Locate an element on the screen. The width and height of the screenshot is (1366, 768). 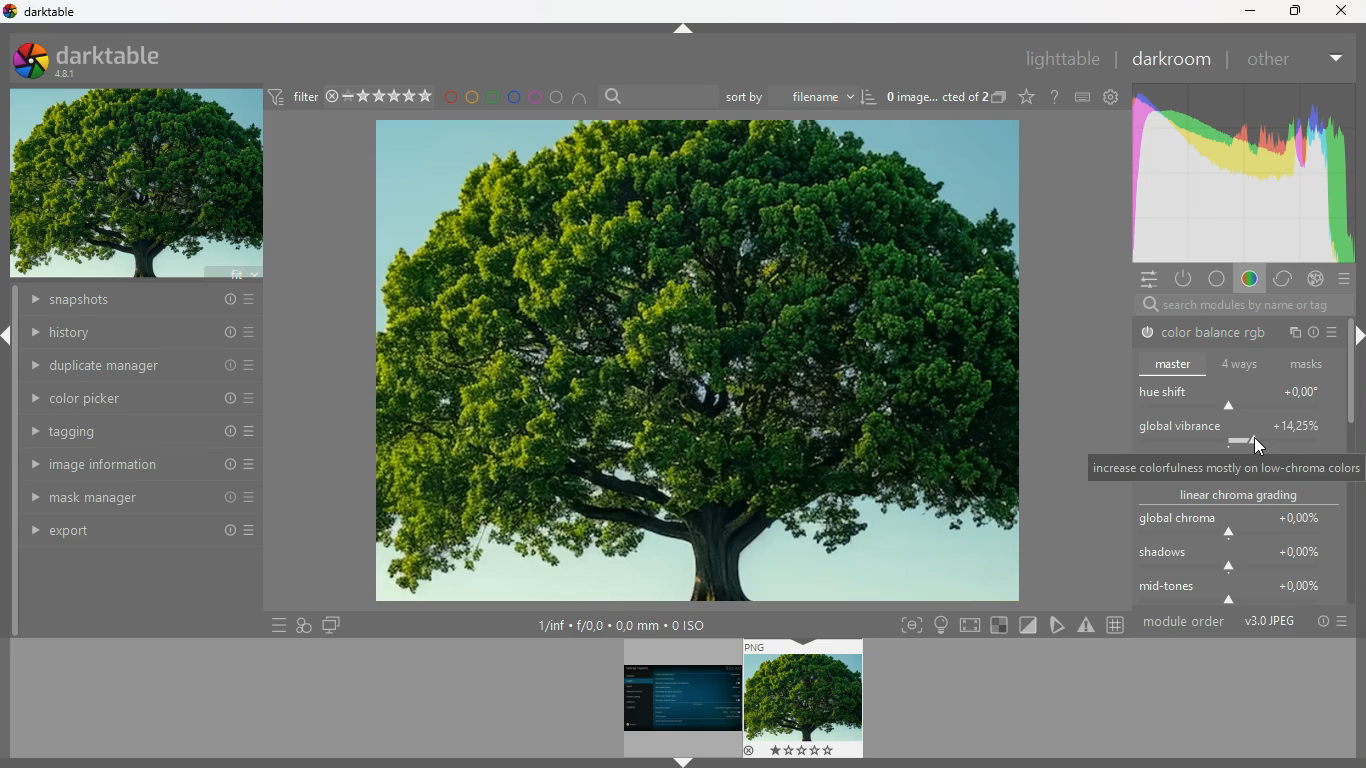
 is located at coordinates (1341, 11).